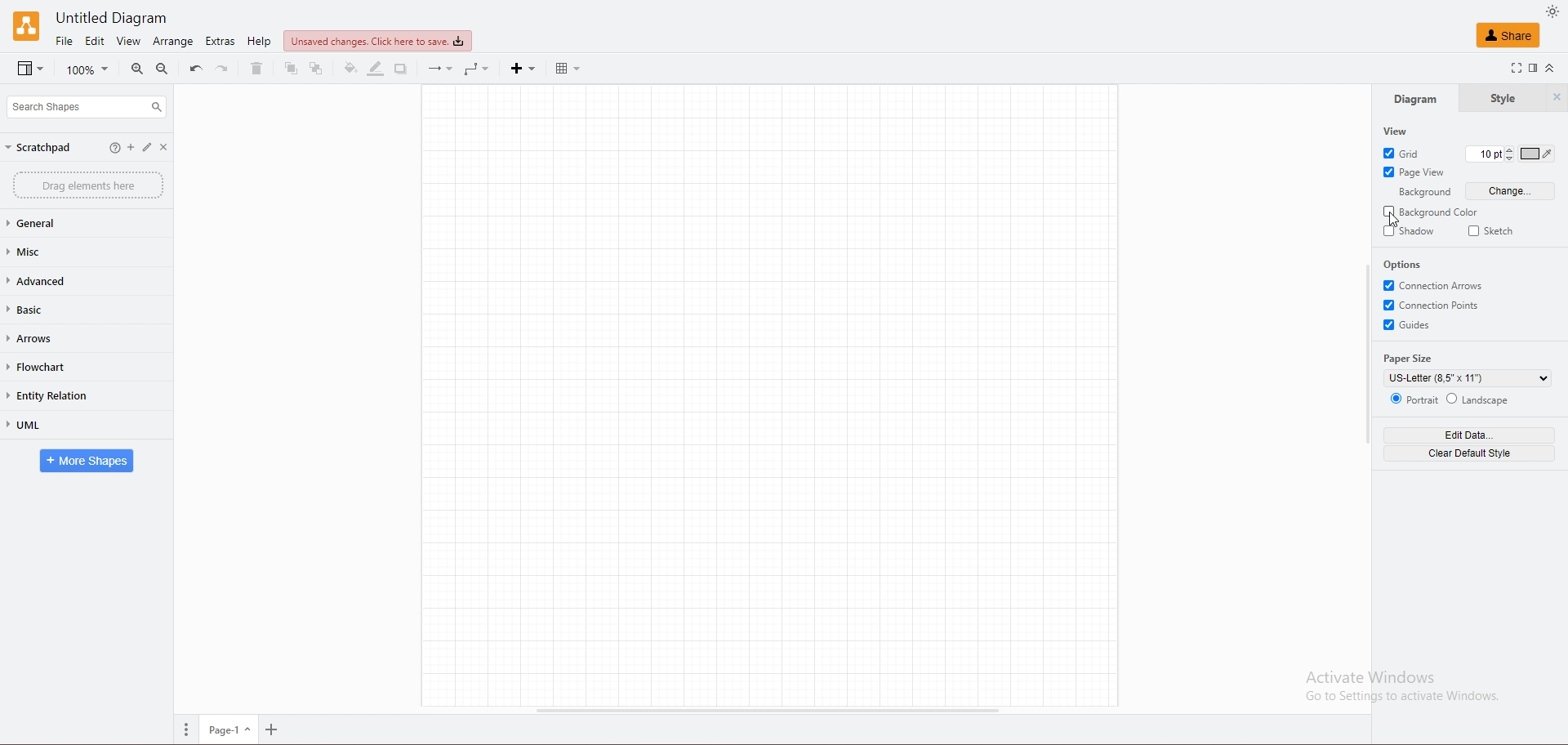  What do you see at coordinates (120, 16) in the screenshot?
I see `Untitled Diagram` at bounding box center [120, 16].